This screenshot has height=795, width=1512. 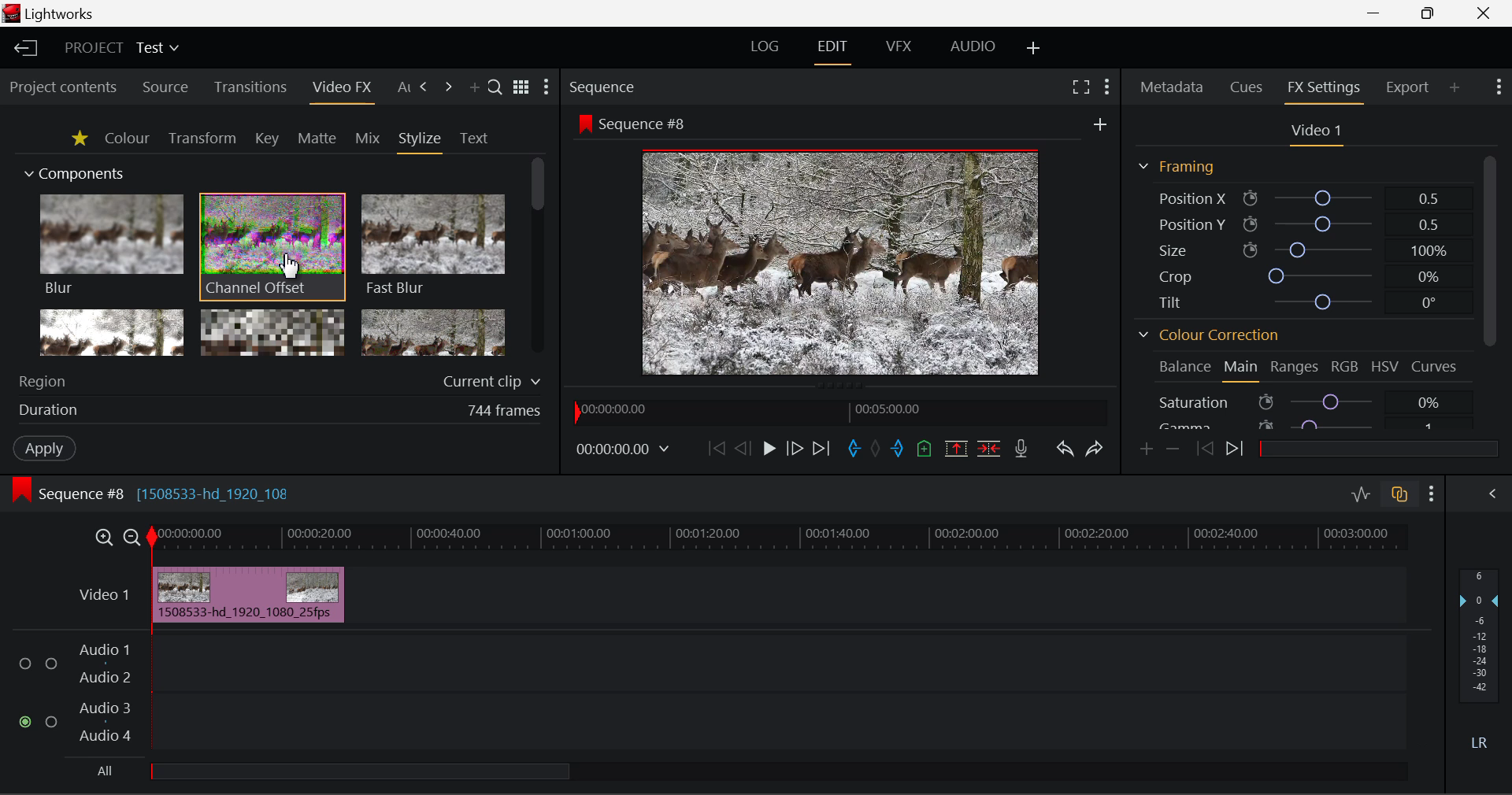 What do you see at coordinates (341, 91) in the screenshot?
I see `Video FX` at bounding box center [341, 91].